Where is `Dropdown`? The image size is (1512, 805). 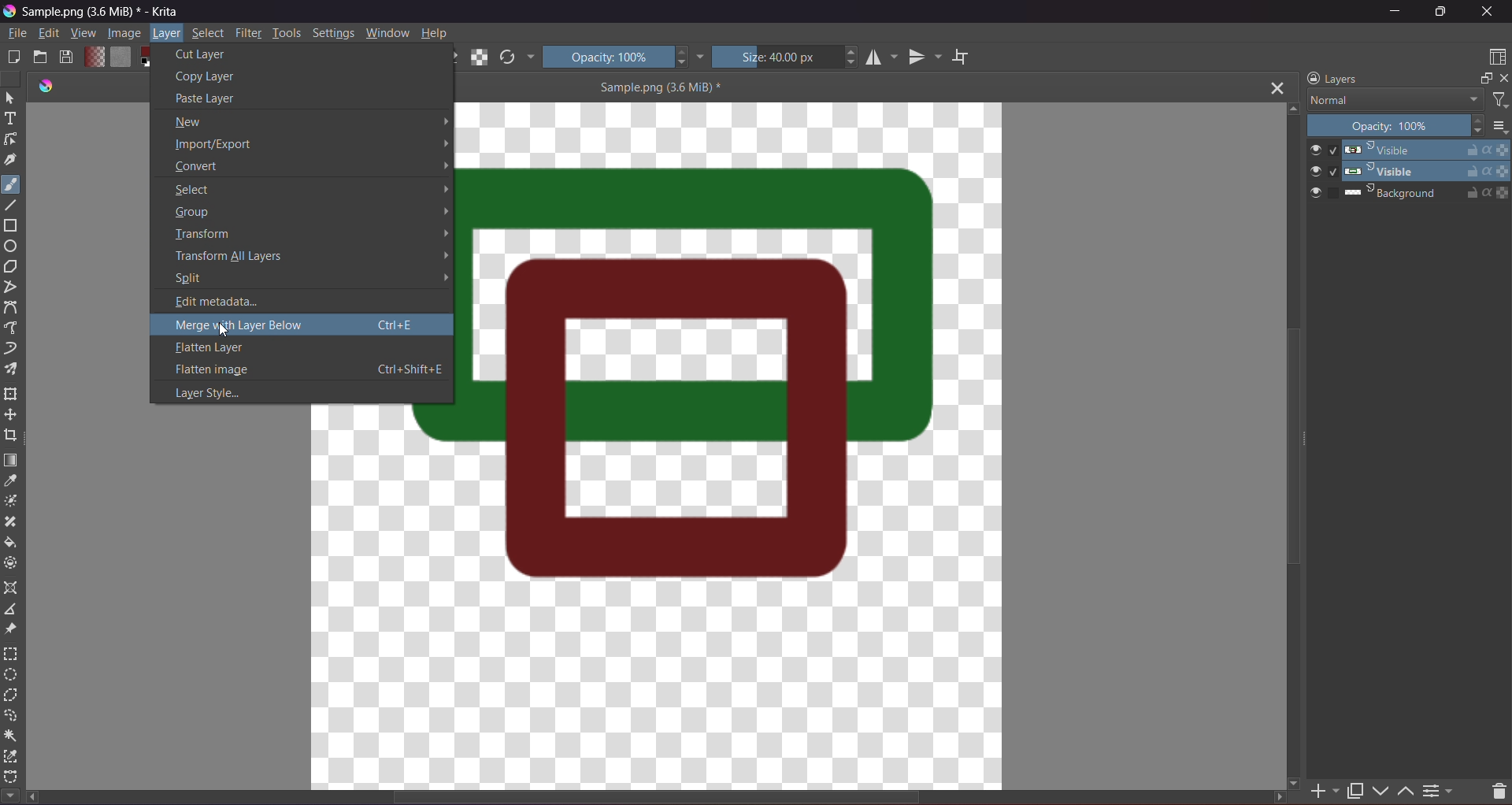
Dropdown is located at coordinates (530, 57).